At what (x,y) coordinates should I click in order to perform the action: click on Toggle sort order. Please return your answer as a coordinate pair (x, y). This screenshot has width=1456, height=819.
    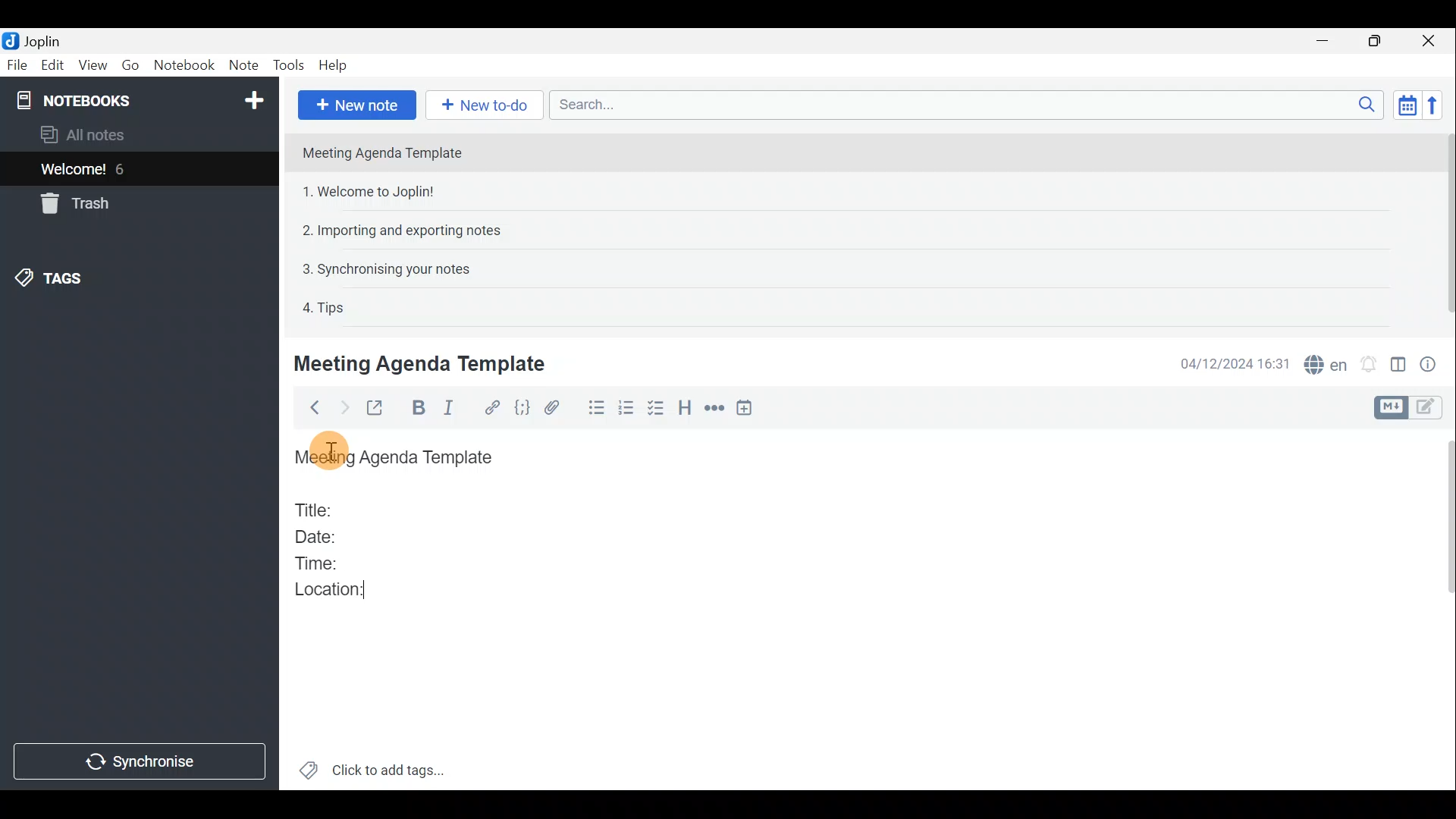
    Looking at the image, I should click on (1404, 103).